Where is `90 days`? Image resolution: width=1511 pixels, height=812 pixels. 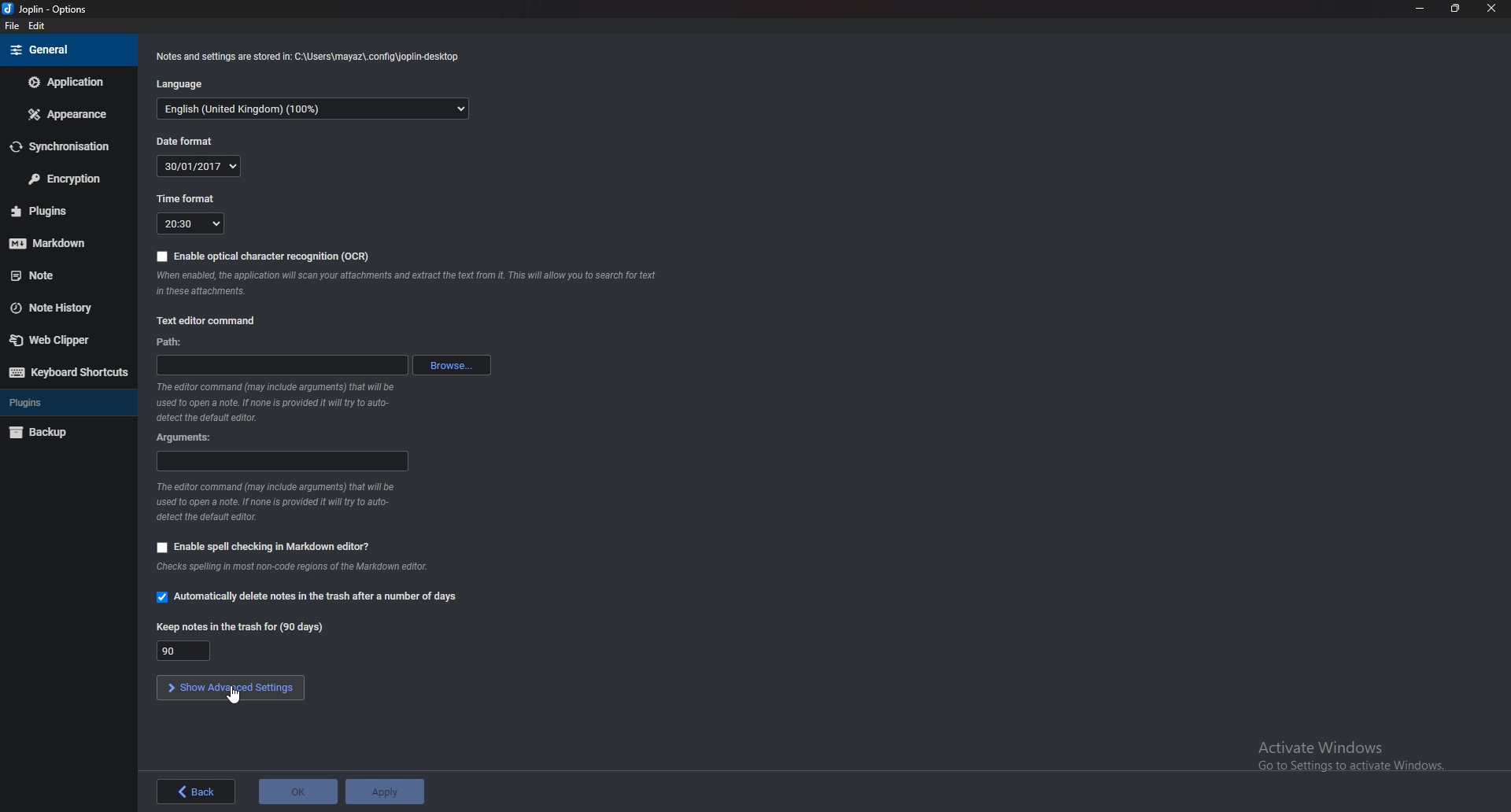 90 days is located at coordinates (184, 651).